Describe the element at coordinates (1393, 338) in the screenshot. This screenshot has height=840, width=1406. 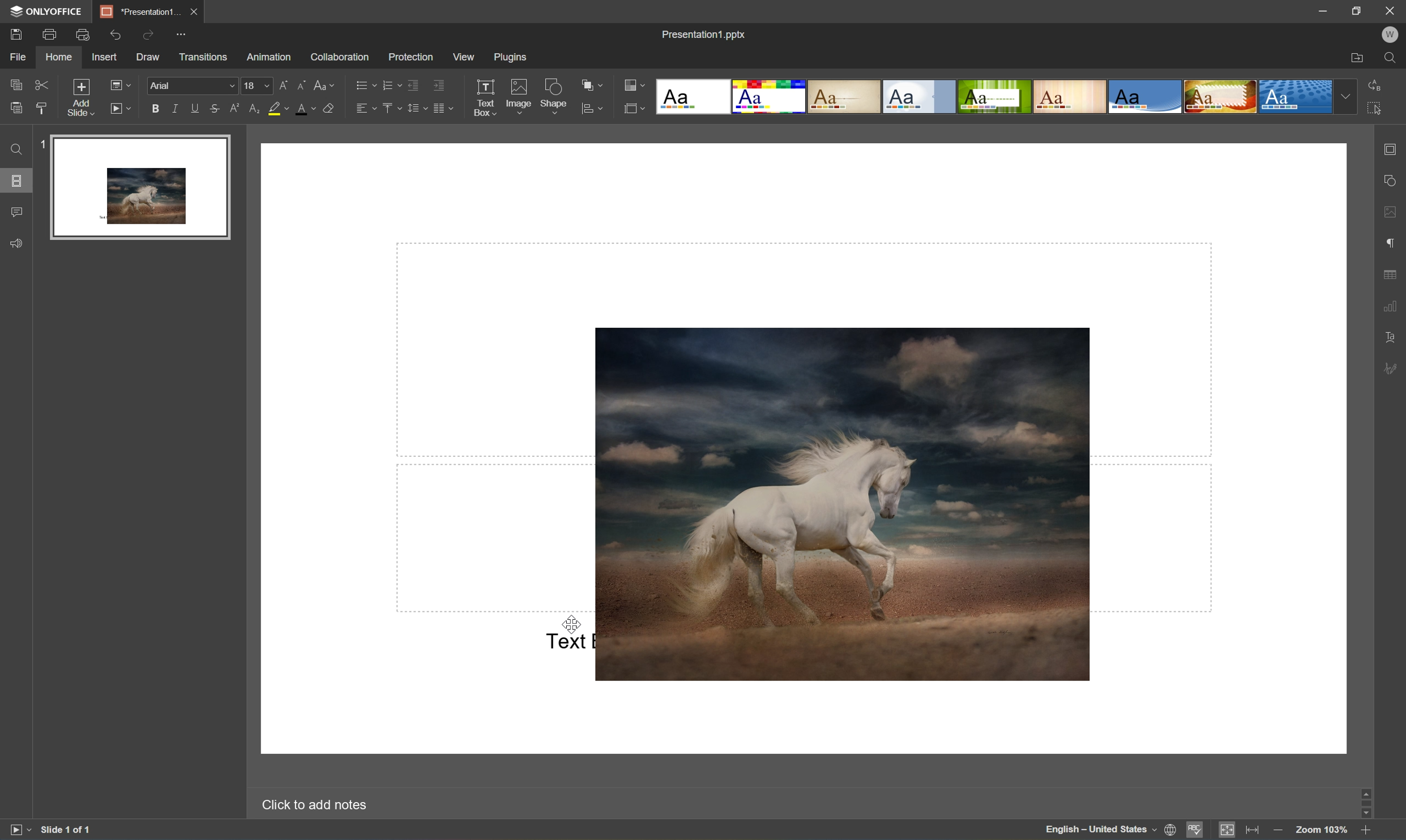
I see `Text Art settings` at that location.